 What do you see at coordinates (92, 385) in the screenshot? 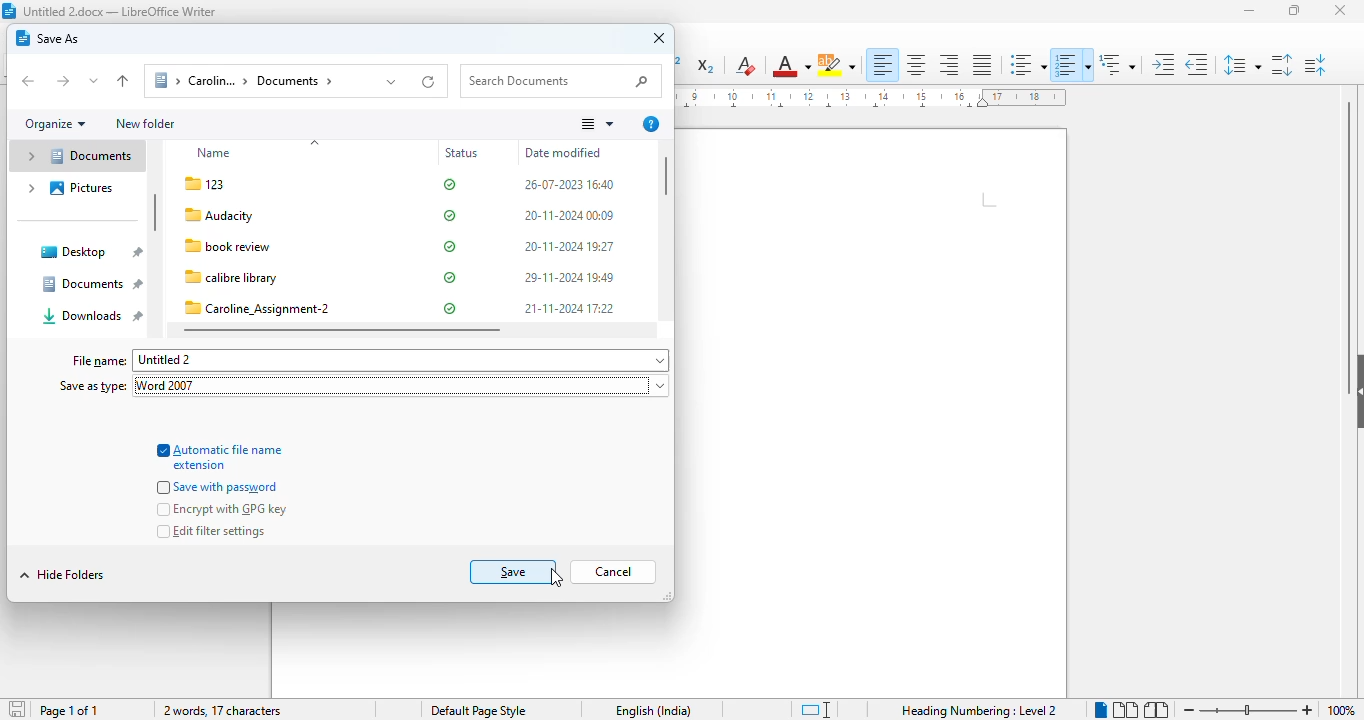
I see `save as type:` at bounding box center [92, 385].